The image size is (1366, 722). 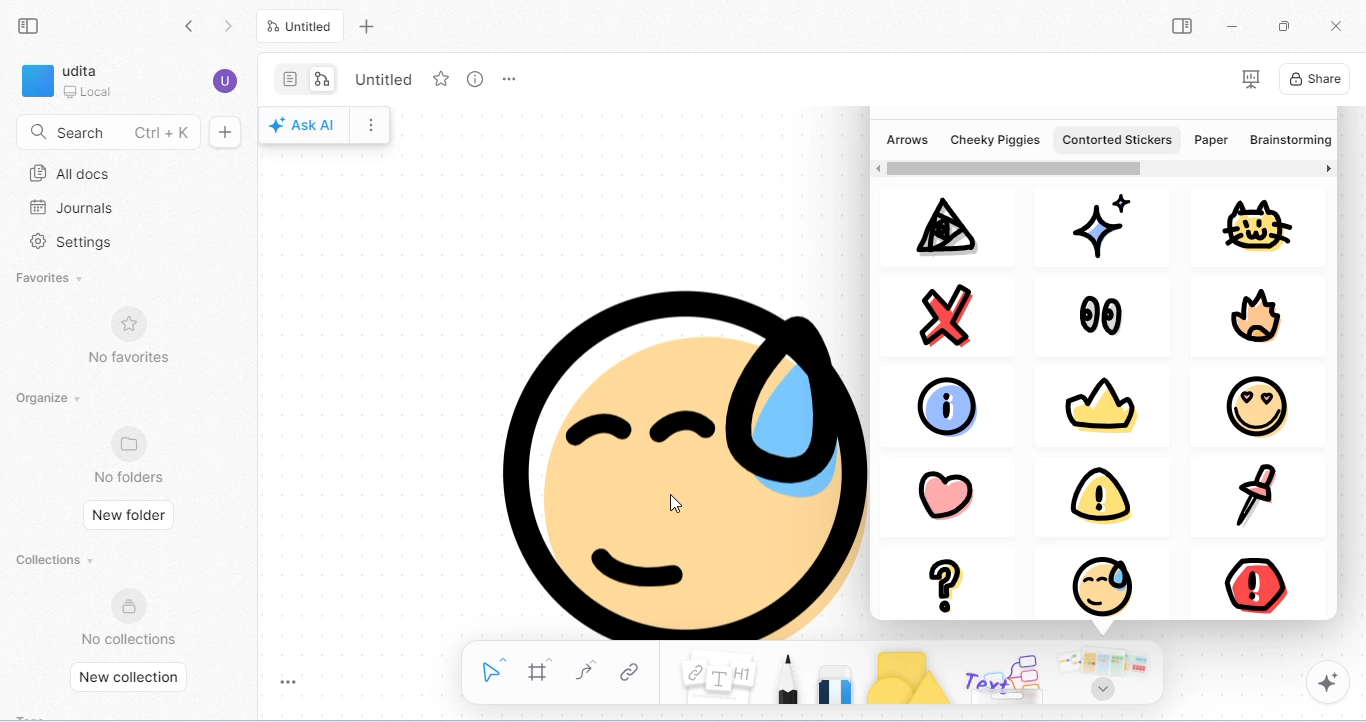 What do you see at coordinates (228, 27) in the screenshot?
I see `go forward` at bounding box center [228, 27].